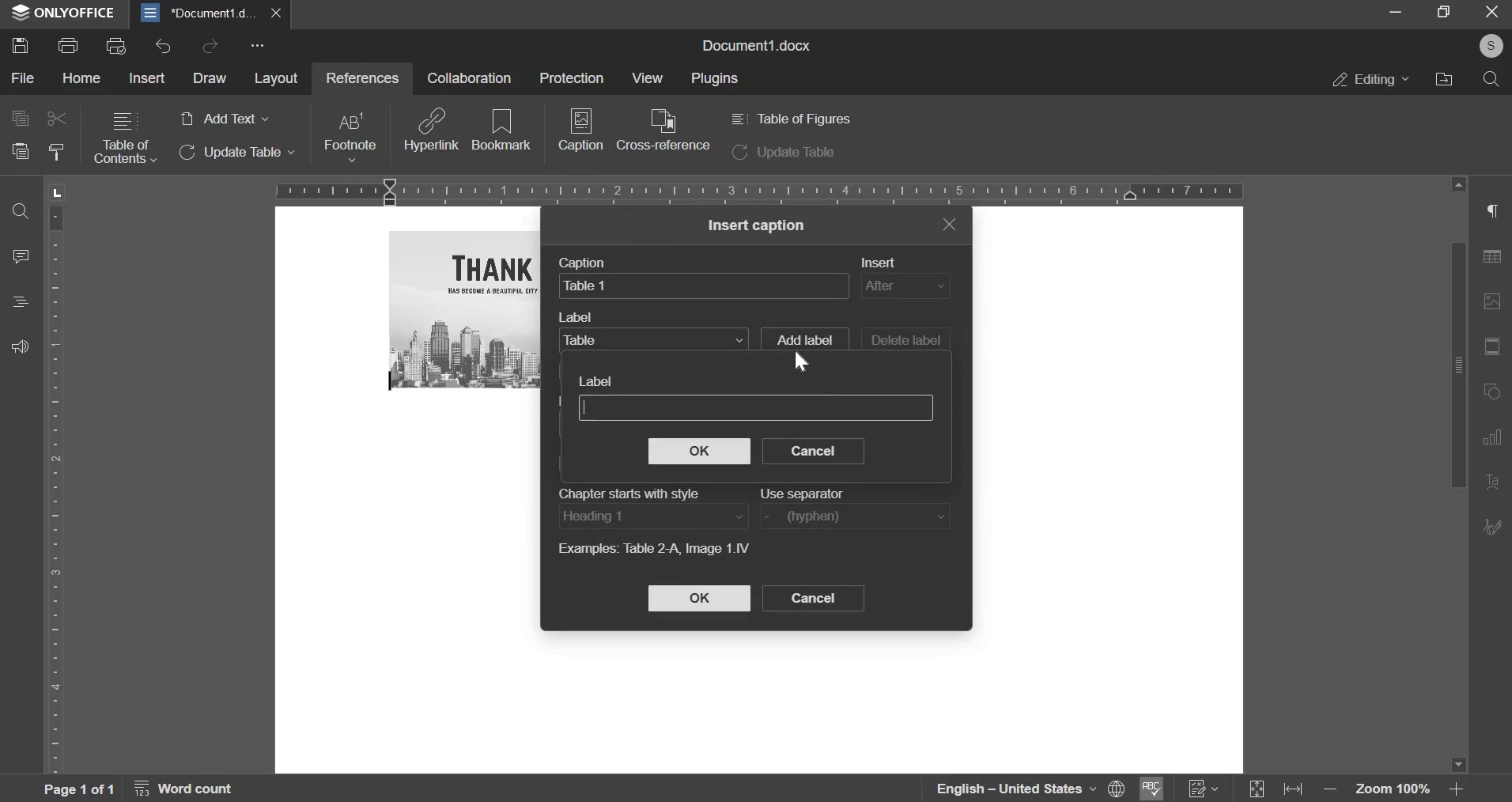  Describe the element at coordinates (704, 285) in the screenshot. I see `caption` at that location.